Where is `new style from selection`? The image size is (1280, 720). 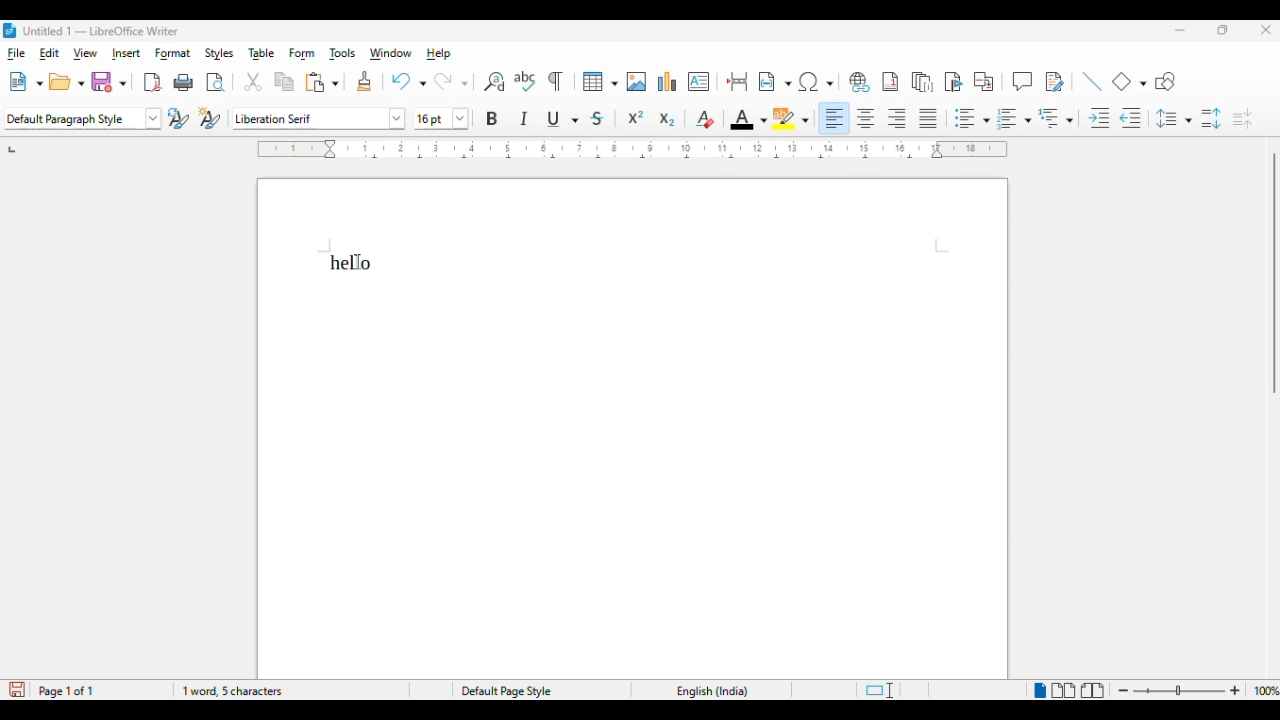 new style from selection is located at coordinates (210, 118).